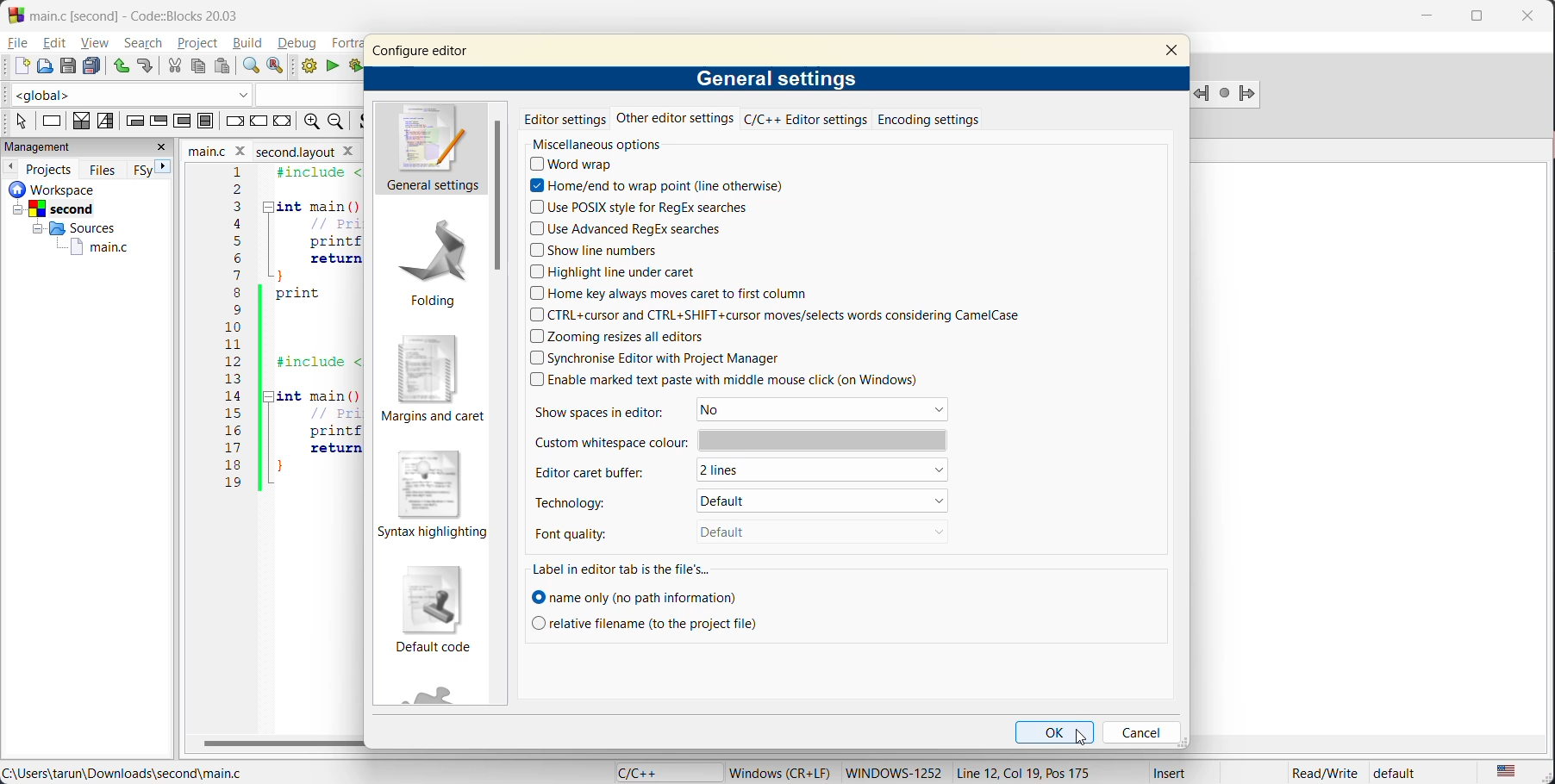 The width and height of the screenshot is (1555, 784). Describe the element at coordinates (340, 122) in the screenshot. I see `zoom out` at that location.